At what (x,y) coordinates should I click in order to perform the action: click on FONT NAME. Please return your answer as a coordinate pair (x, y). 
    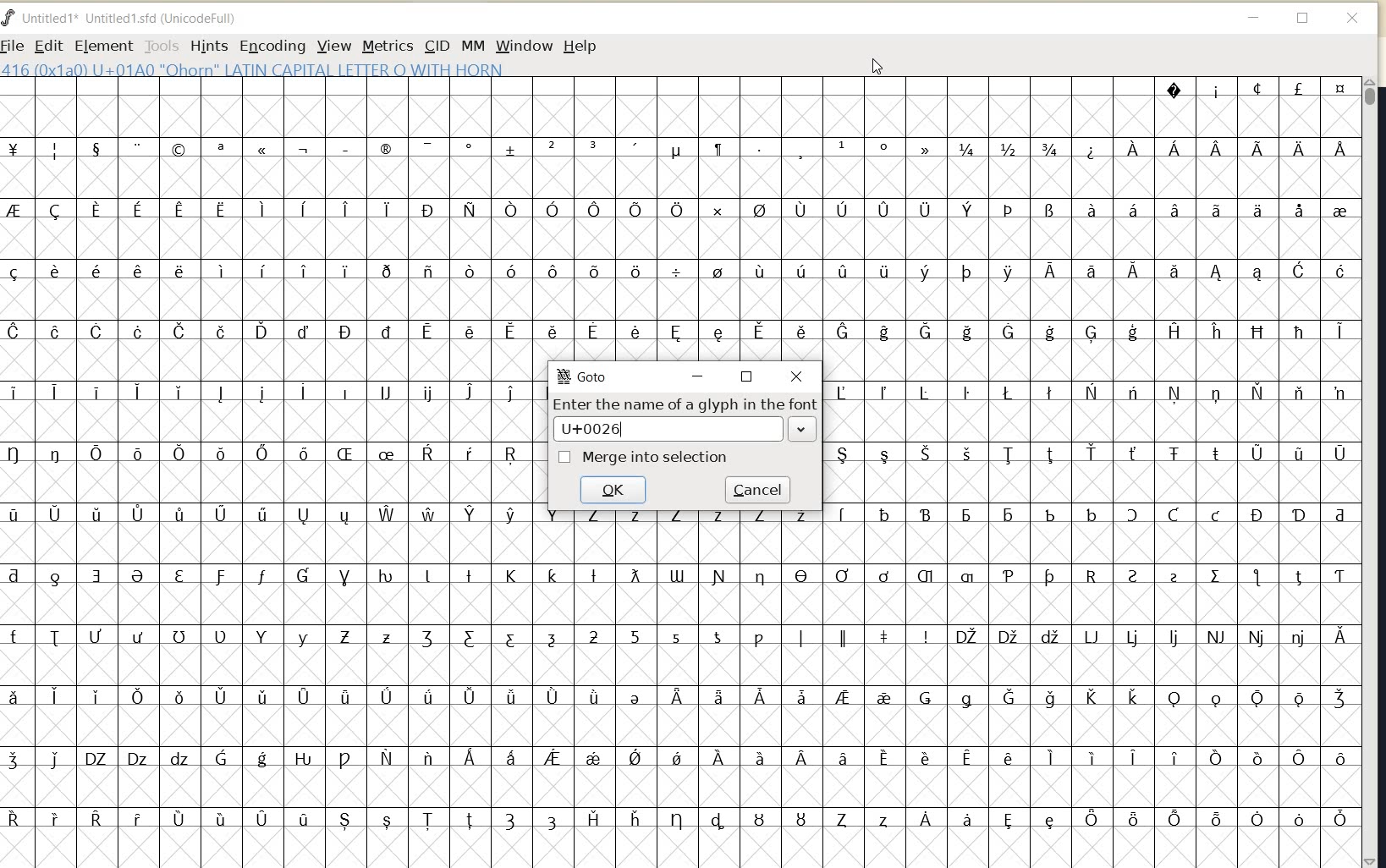
    Looking at the image, I should click on (128, 18).